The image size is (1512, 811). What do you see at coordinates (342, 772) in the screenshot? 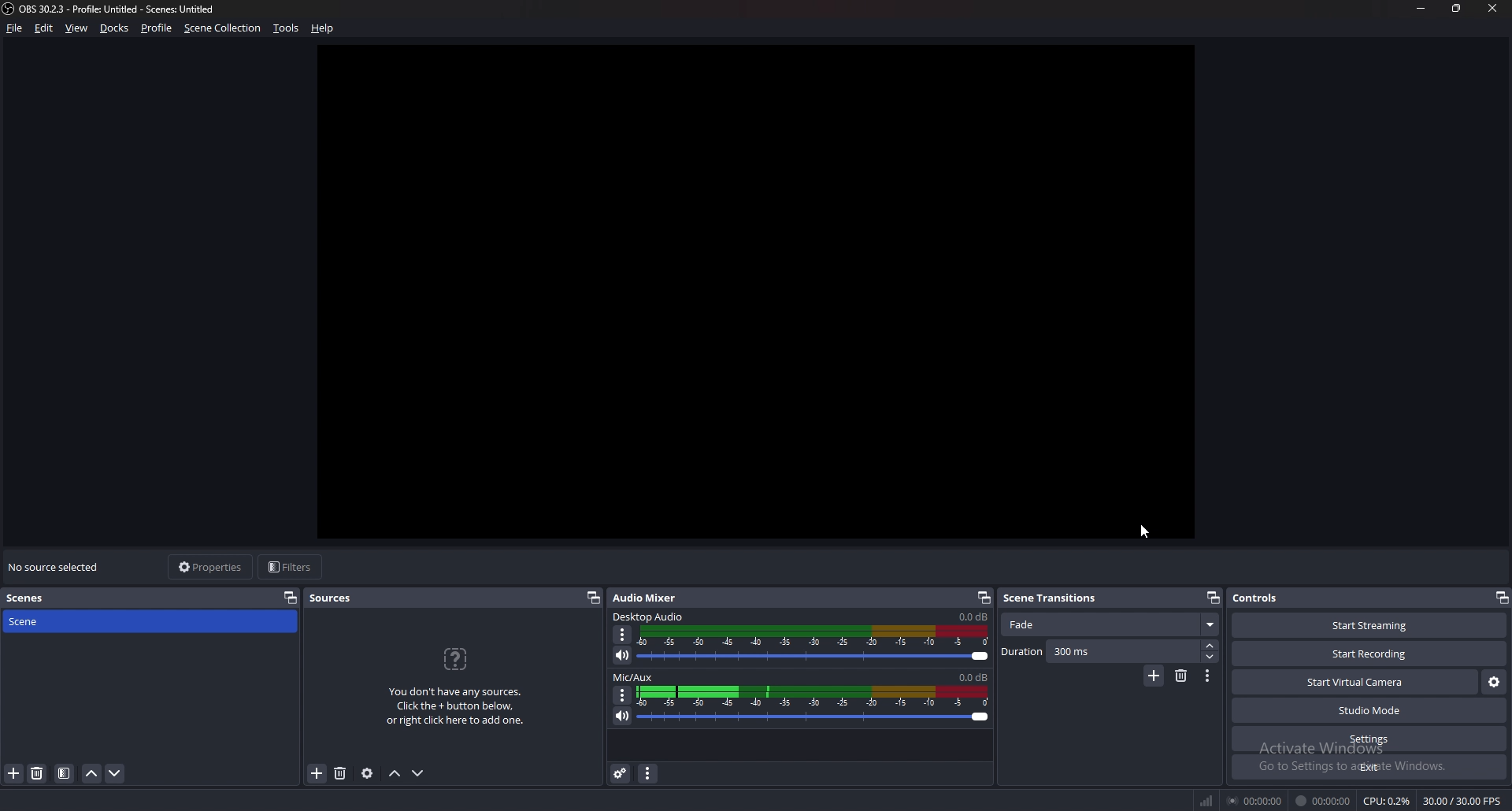
I see `delete source` at bounding box center [342, 772].